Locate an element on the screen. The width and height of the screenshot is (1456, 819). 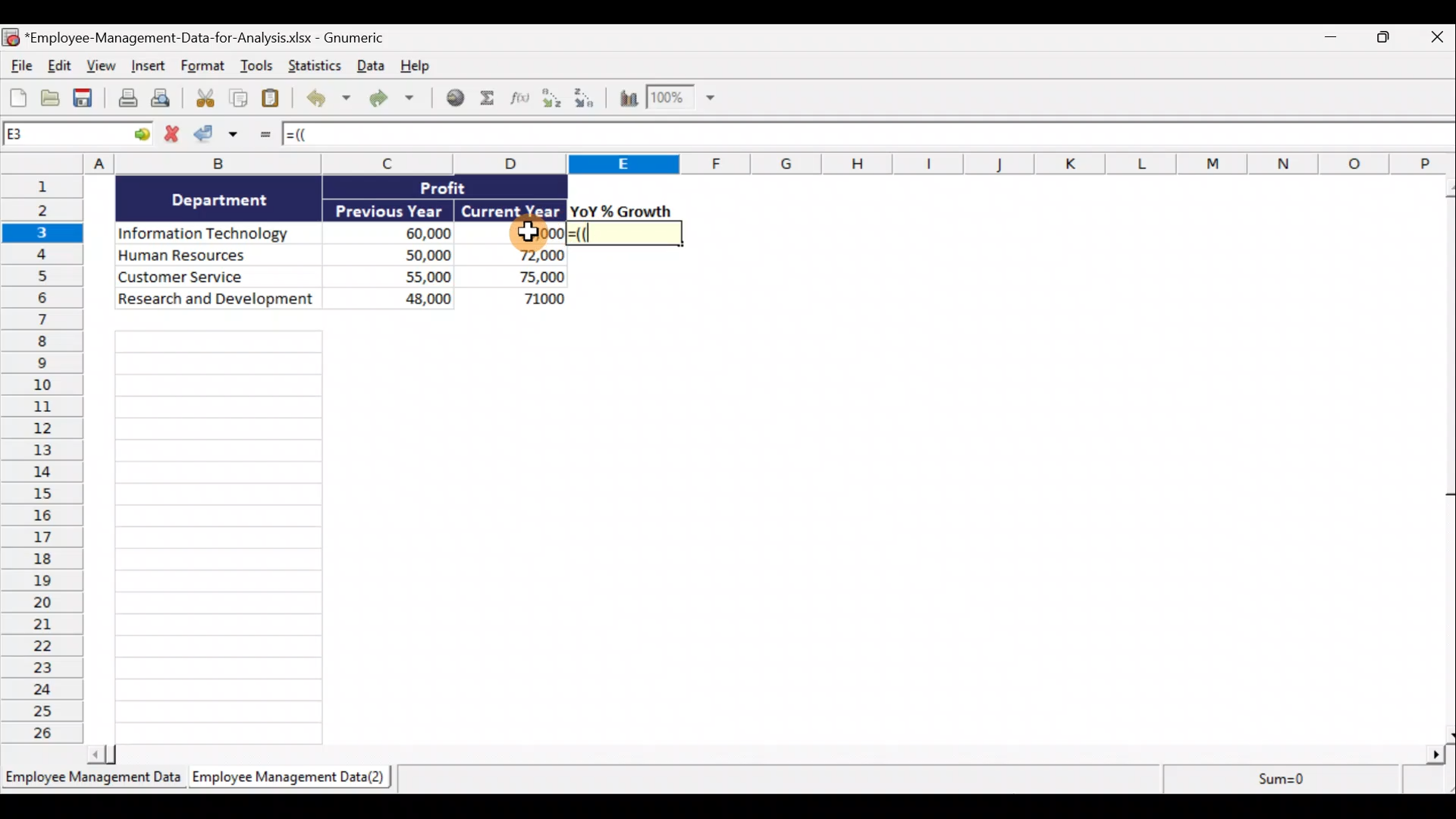
Statistics is located at coordinates (312, 66).